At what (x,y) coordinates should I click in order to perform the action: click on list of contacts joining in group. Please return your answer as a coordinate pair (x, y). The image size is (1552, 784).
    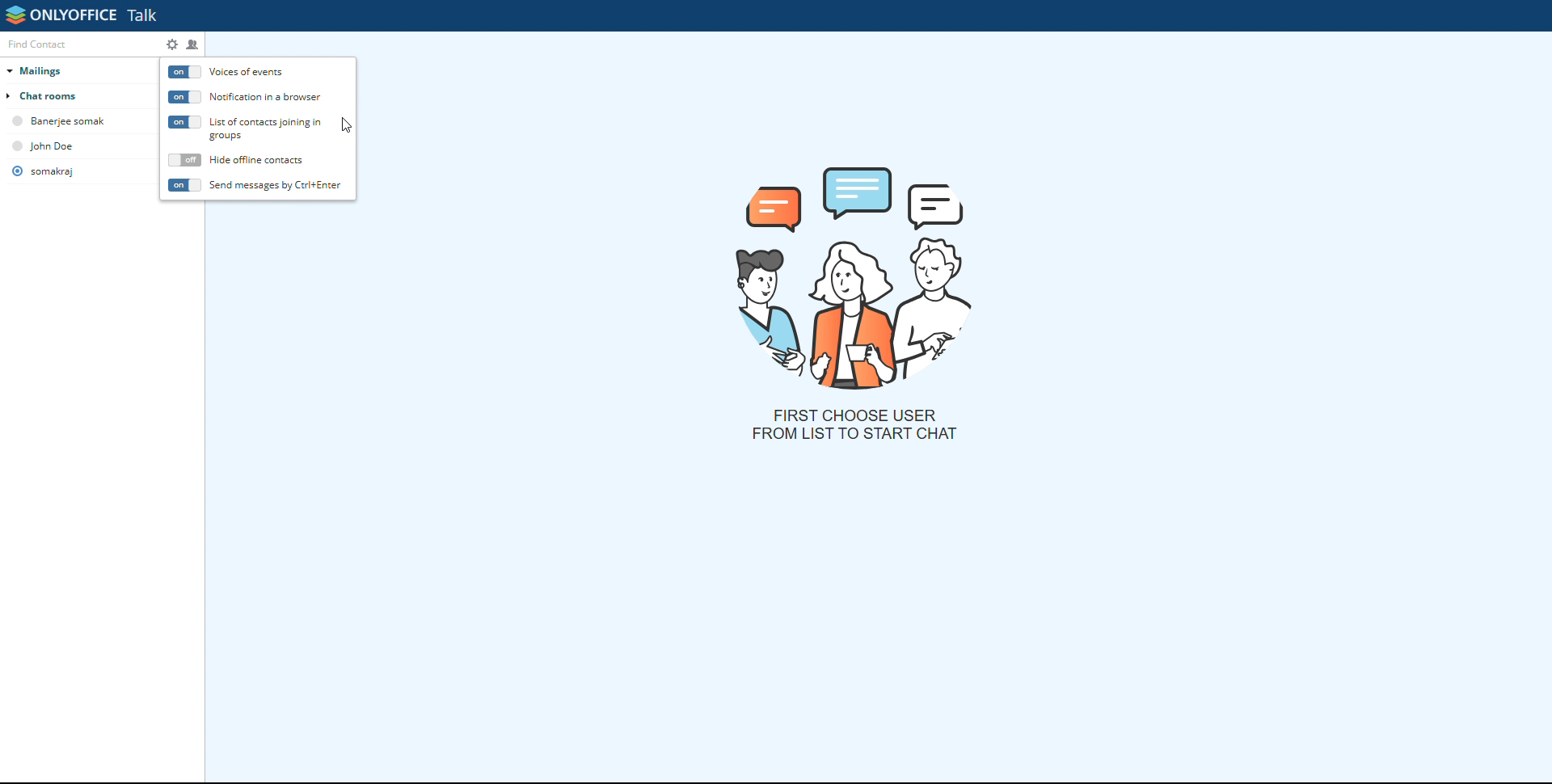
    Looking at the image, I should click on (268, 129).